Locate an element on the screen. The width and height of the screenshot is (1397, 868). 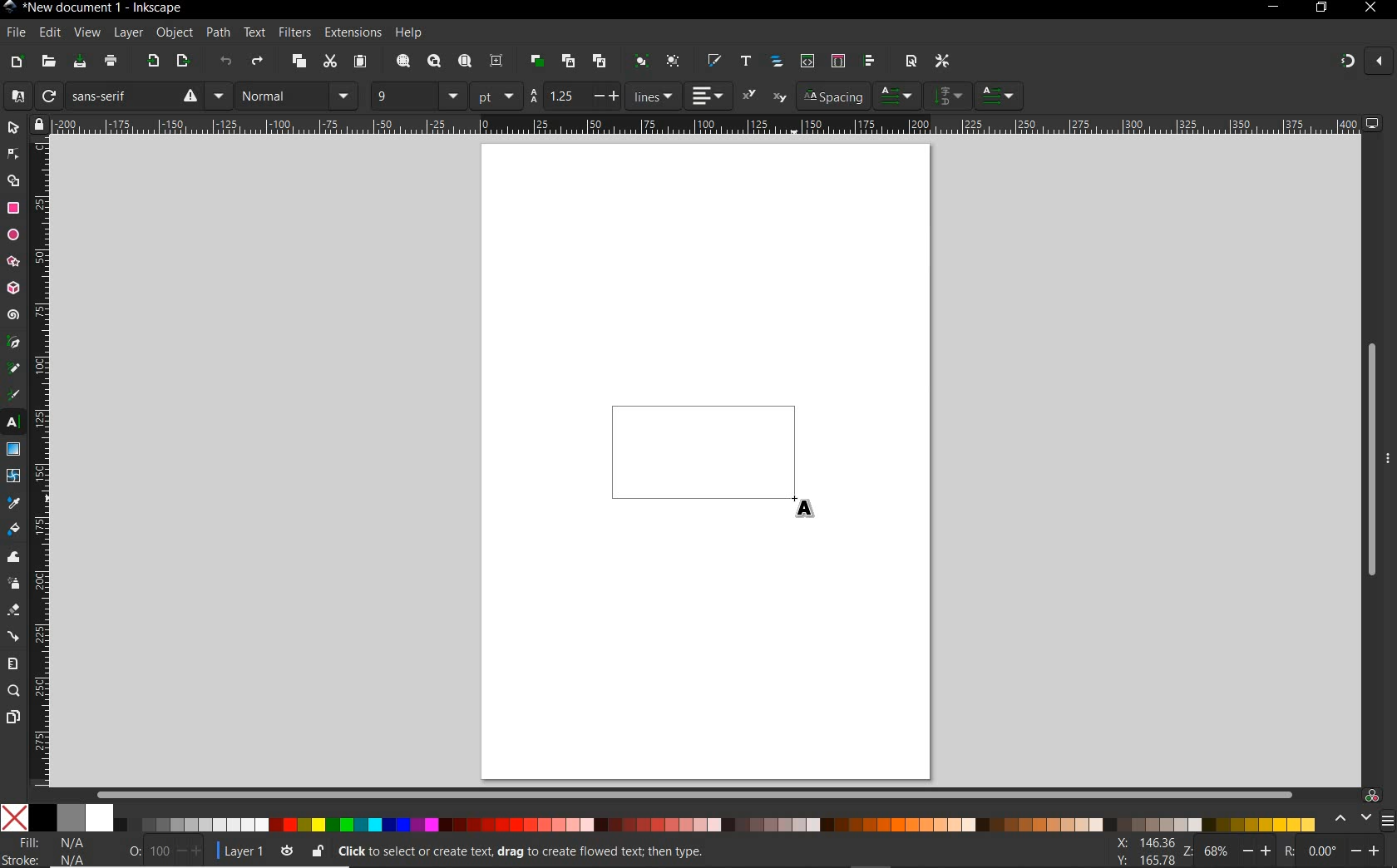
lock is located at coordinates (37, 124).